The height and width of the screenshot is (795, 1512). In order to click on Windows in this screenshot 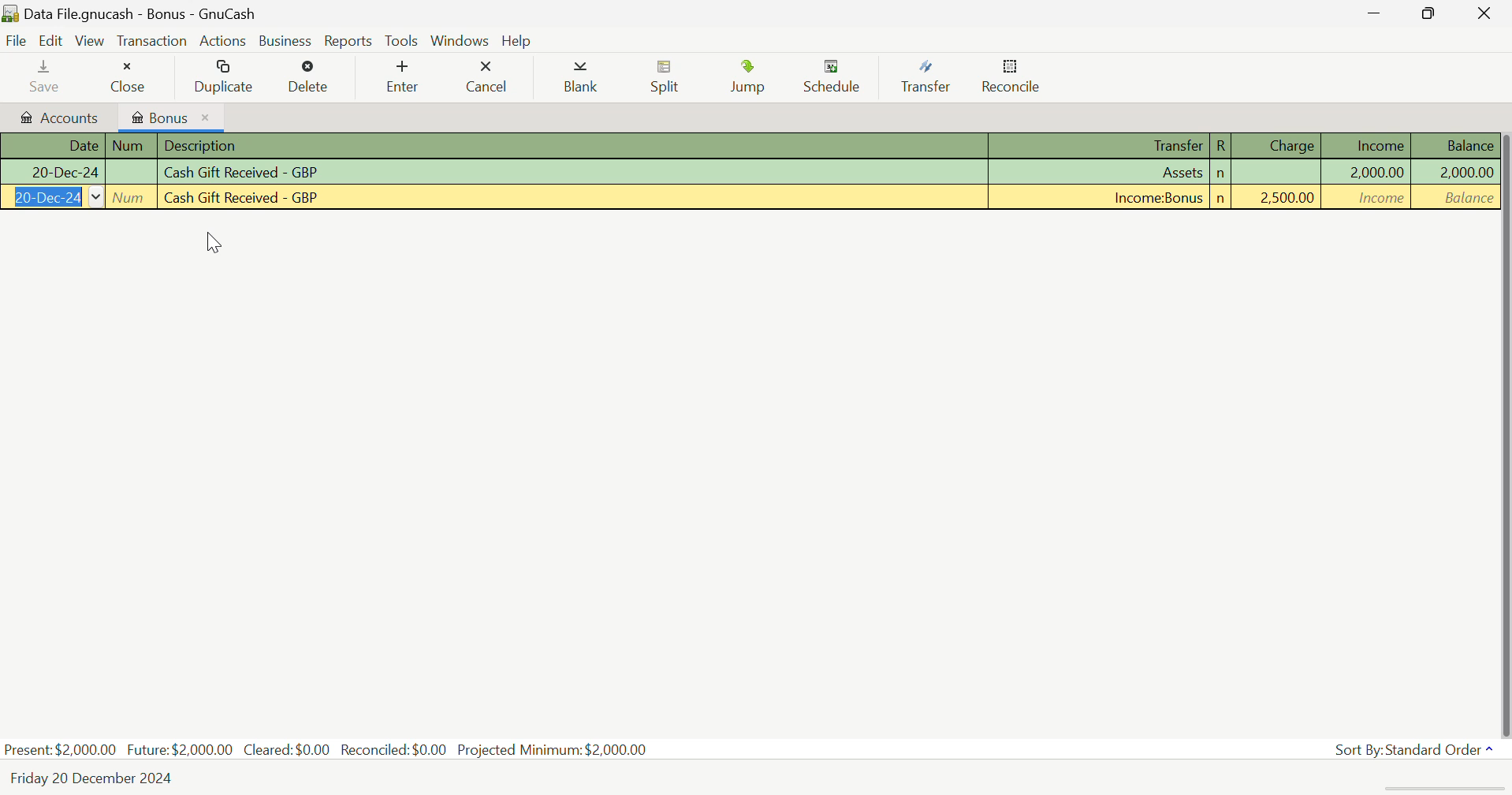, I will do `click(460, 39)`.